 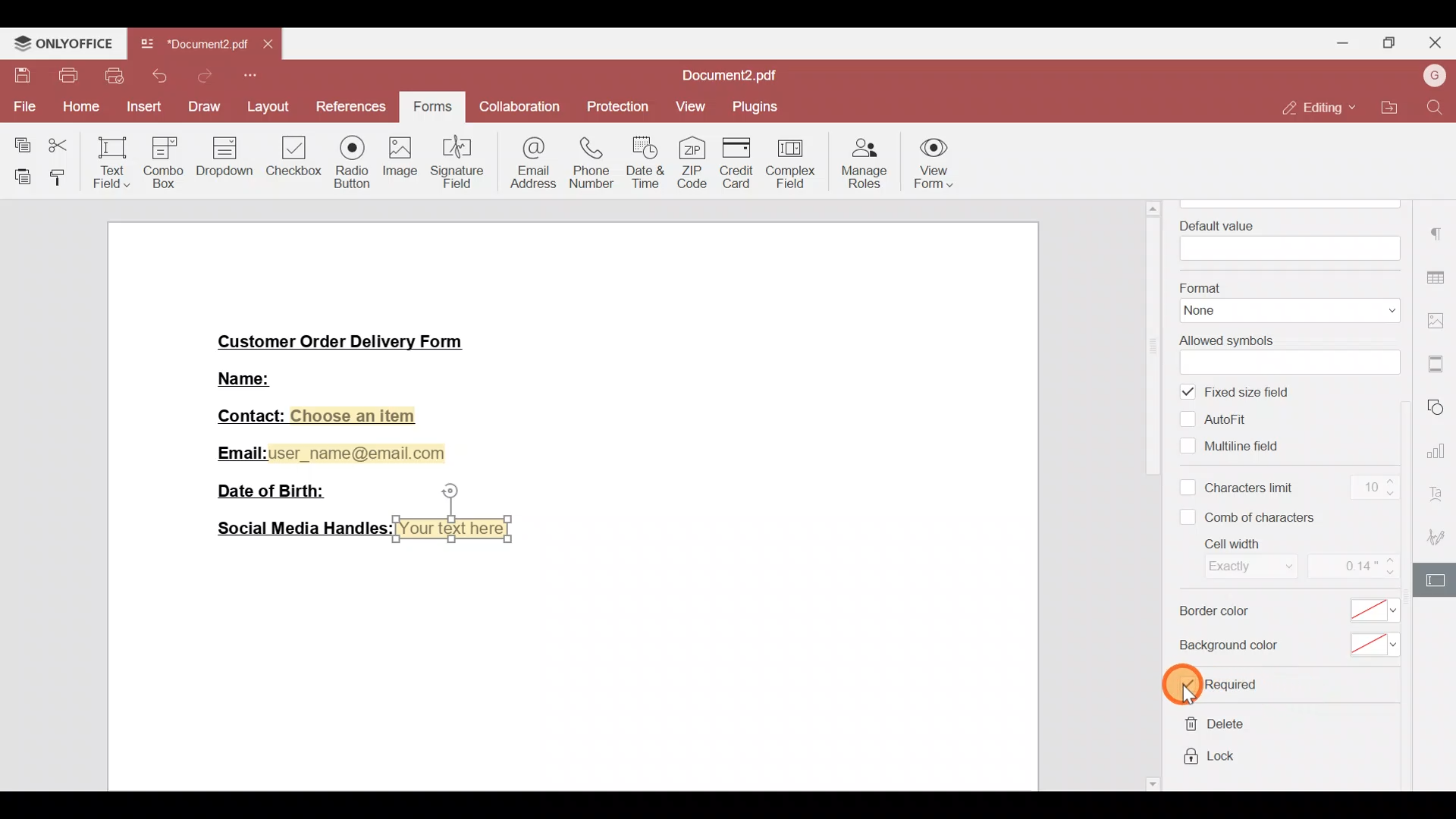 What do you see at coordinates (736, 76) in the screenshot?
I see `Document2.pdf` at bounding box center [736, 76].